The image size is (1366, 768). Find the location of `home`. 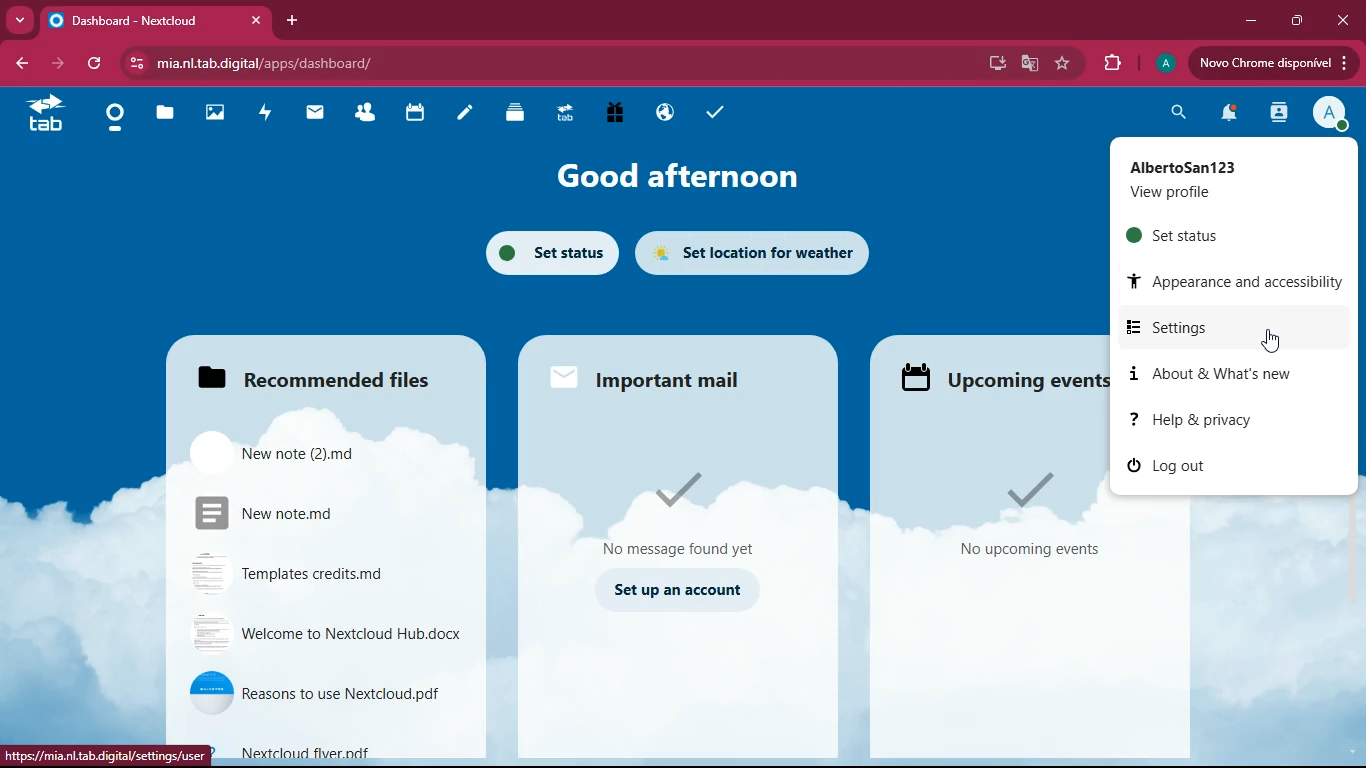

home is located at coordinates (114, 118).